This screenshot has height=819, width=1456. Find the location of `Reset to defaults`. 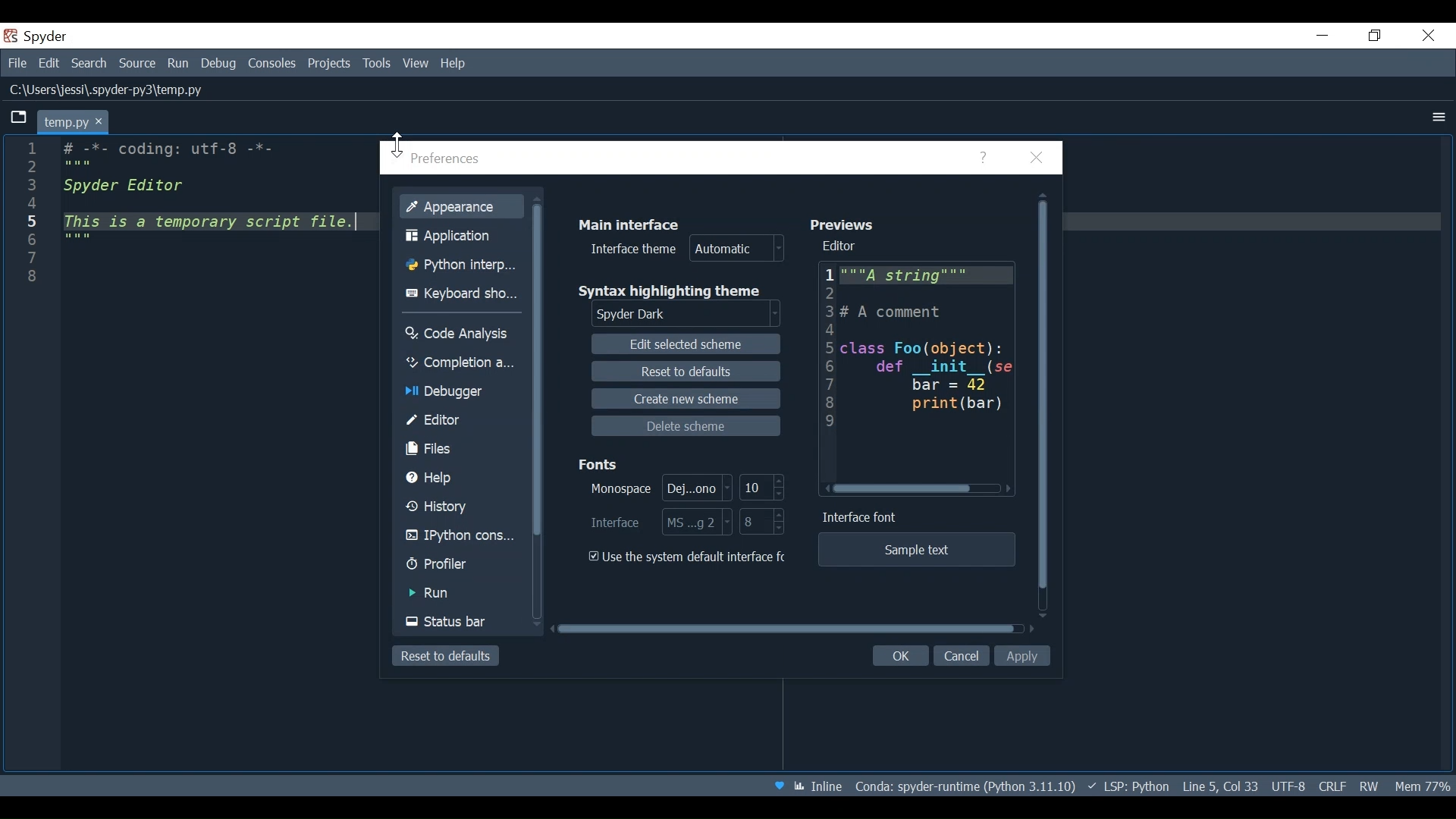

Reset to defaults is located at coordinates (685, 371).